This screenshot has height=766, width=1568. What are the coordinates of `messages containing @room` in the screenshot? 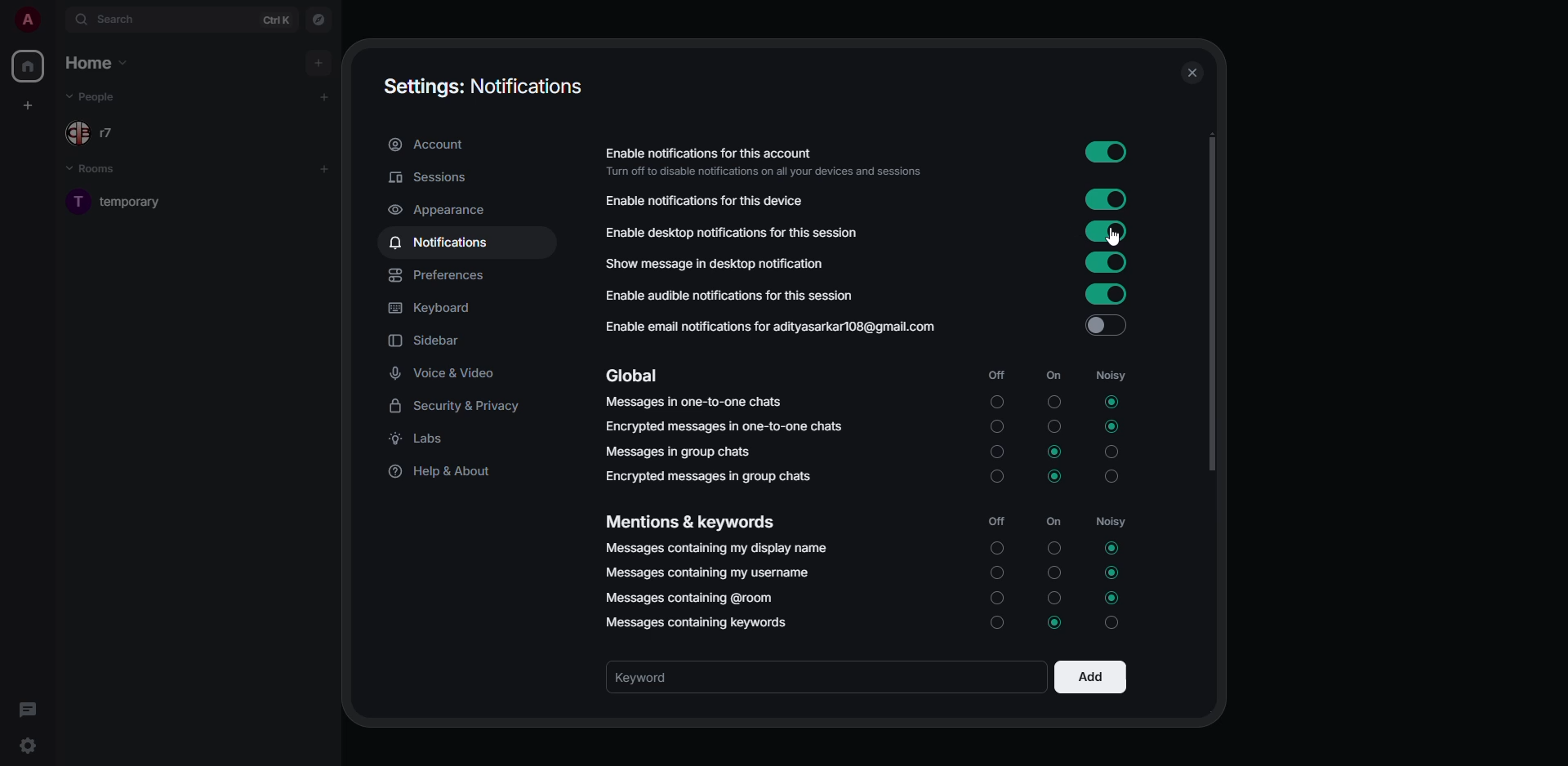 It's located at (687, 597).